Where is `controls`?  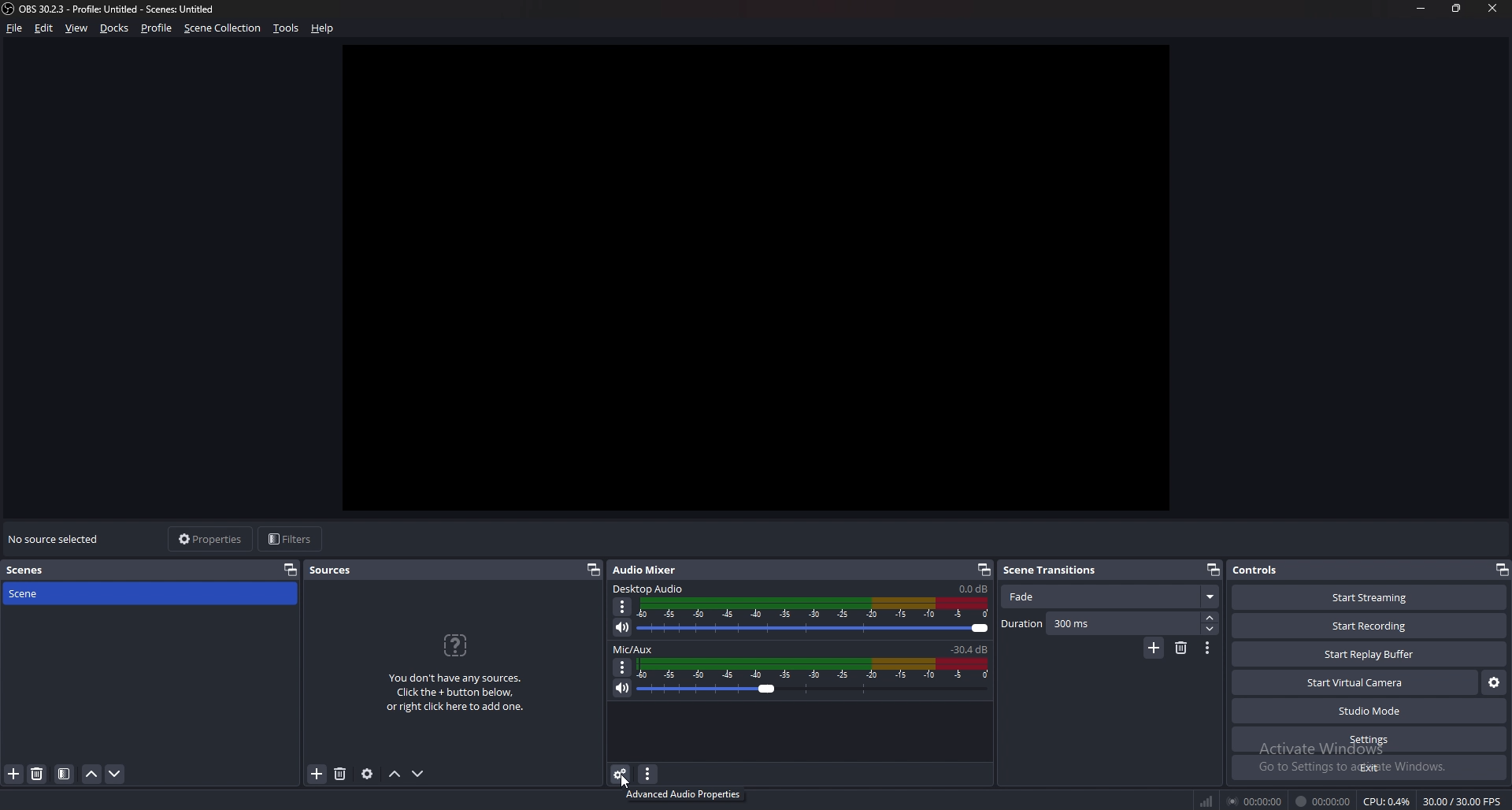 controls is located at coordinates (1265, 570).